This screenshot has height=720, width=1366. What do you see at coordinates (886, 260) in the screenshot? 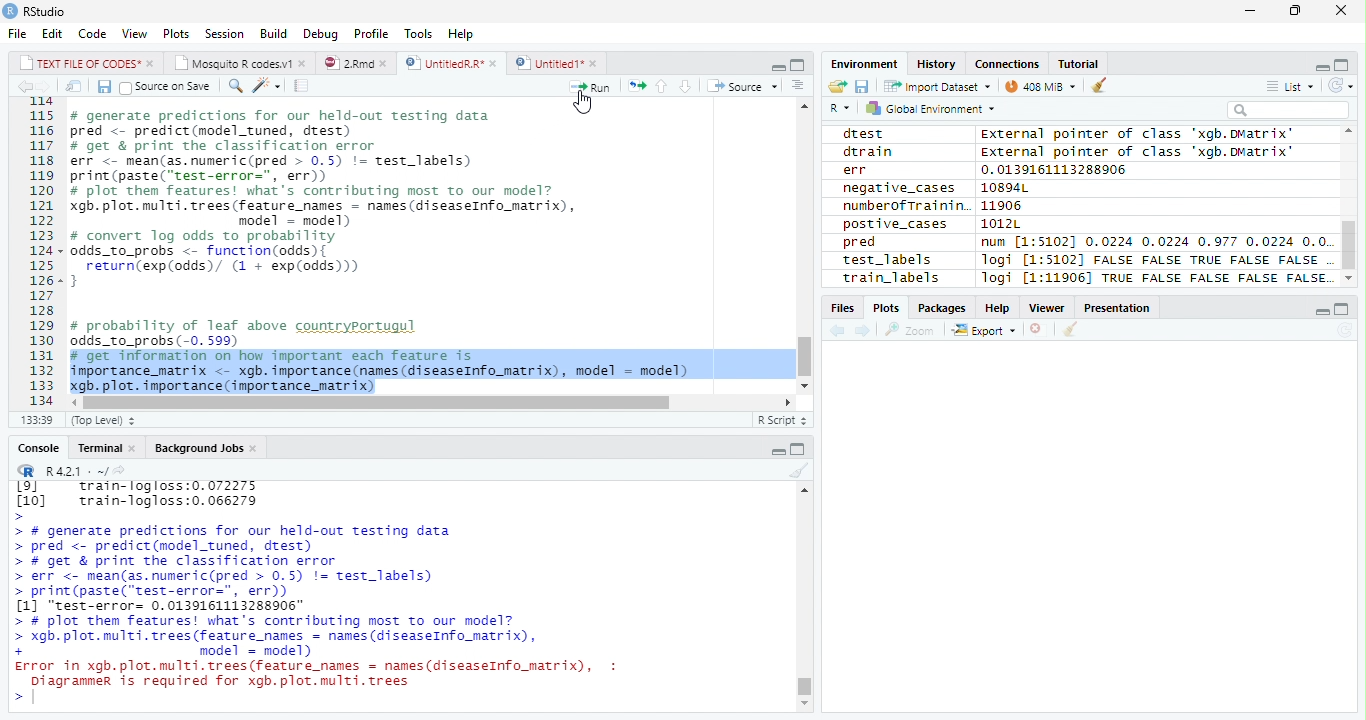
I see `test_labels` at bounding box center [886, 260].